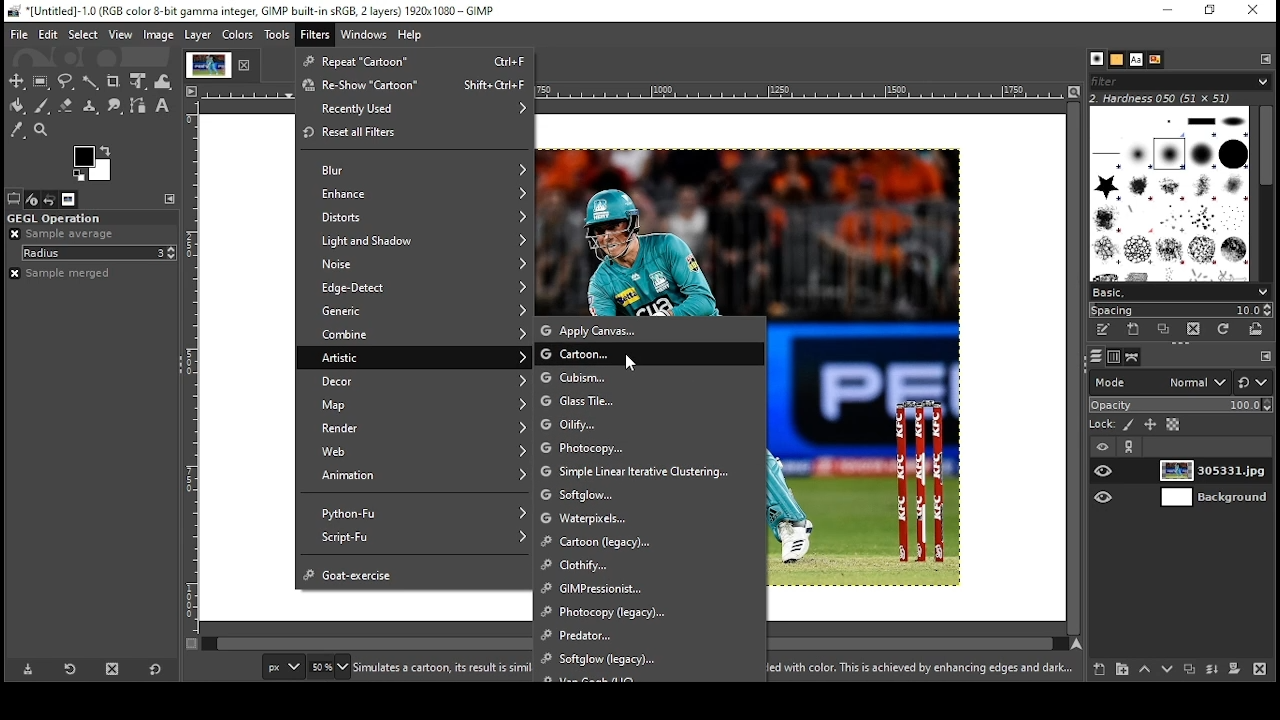  What do you see at coordinates (414, 85) in the screenshot?
I see `reshow` at bounding box center [414, 85].